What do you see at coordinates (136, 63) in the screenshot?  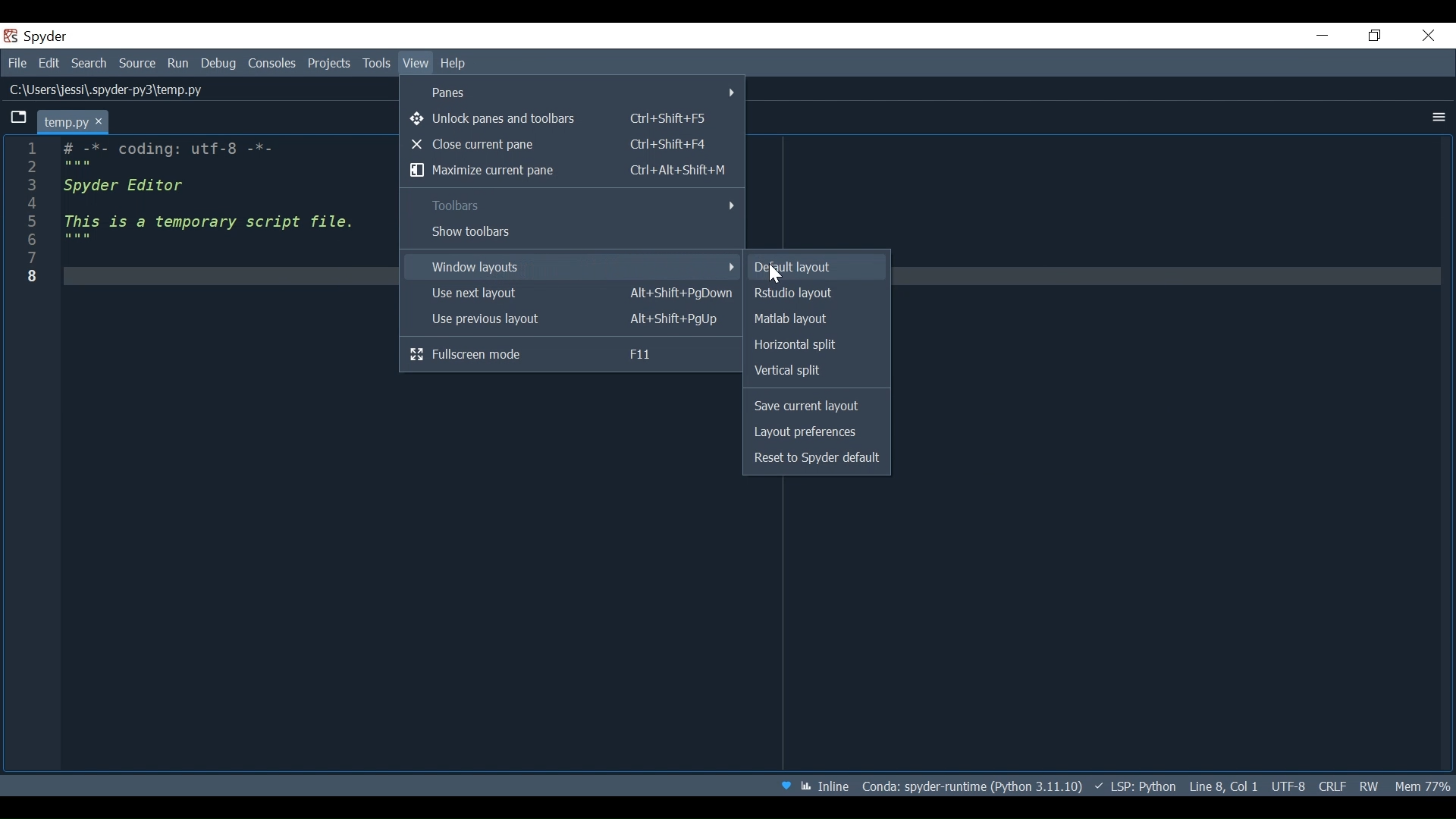 I see `Source` at bounding box center [136, 63].